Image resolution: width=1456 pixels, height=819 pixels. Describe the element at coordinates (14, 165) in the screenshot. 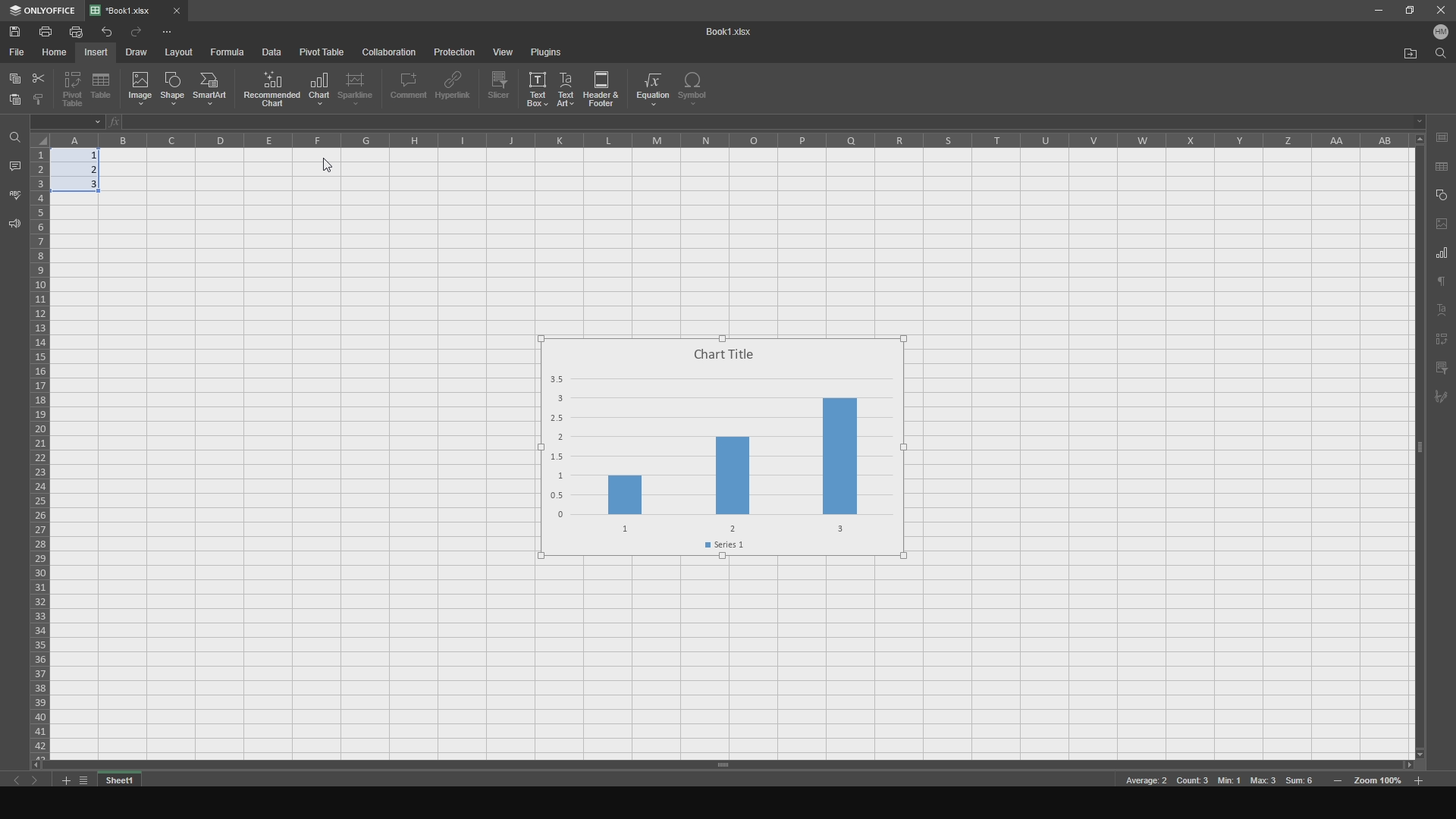

I see `comments` at that location.